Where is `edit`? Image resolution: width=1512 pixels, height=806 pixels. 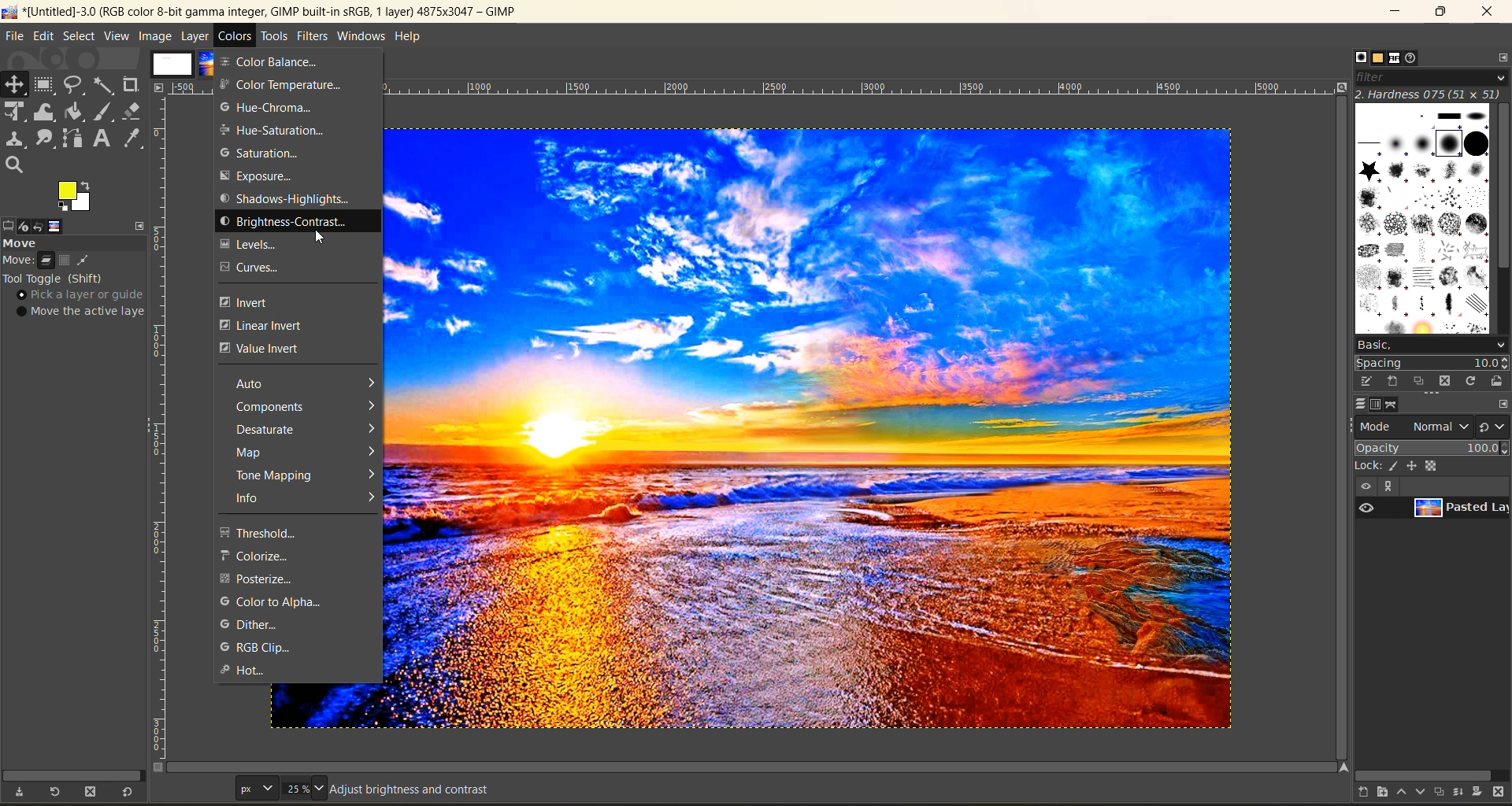
edit is located at coordinates (1368, 381).